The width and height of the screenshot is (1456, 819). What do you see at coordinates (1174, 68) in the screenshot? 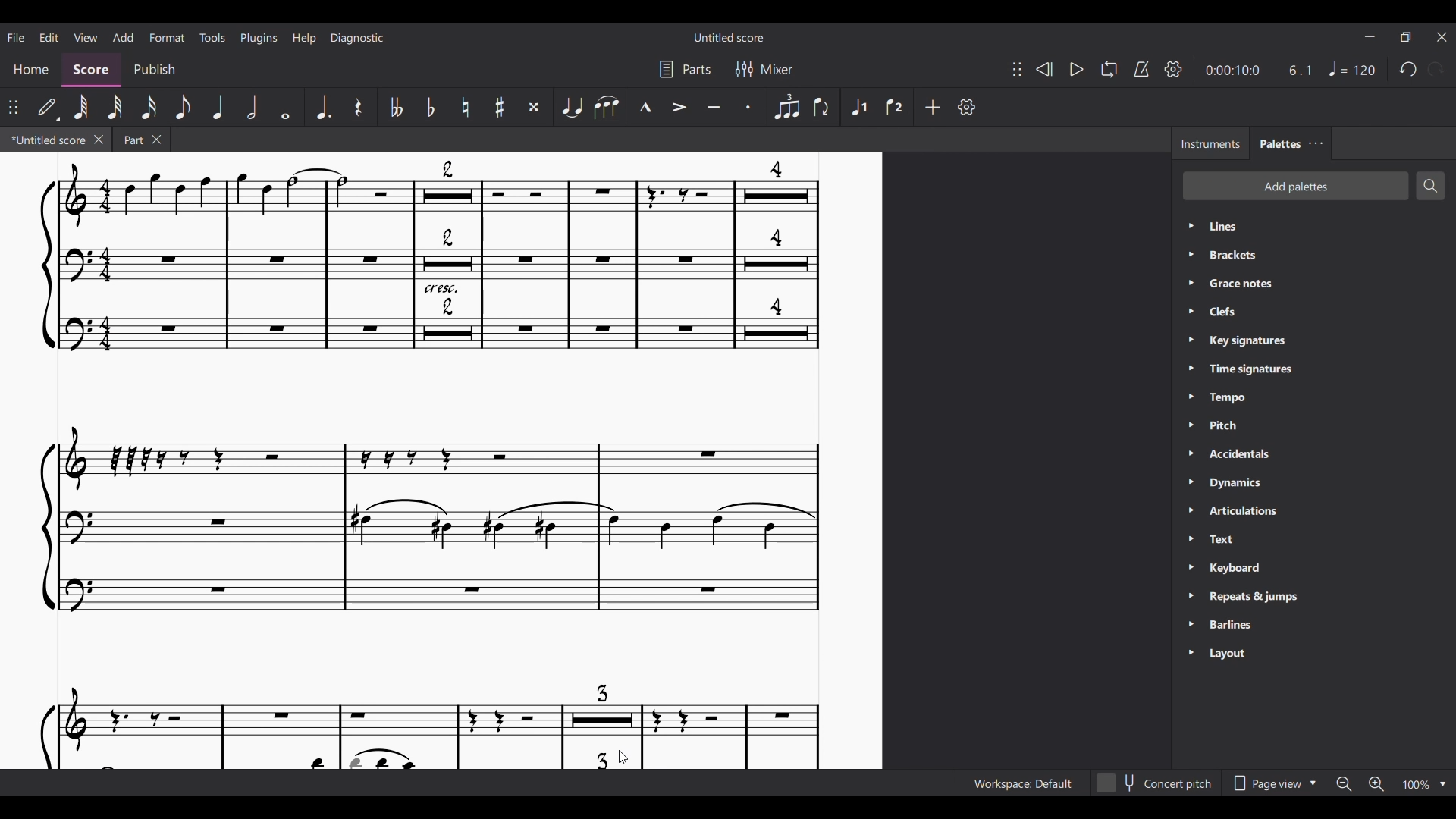
I see `Playback settings` at bounding box center [1174, 68].